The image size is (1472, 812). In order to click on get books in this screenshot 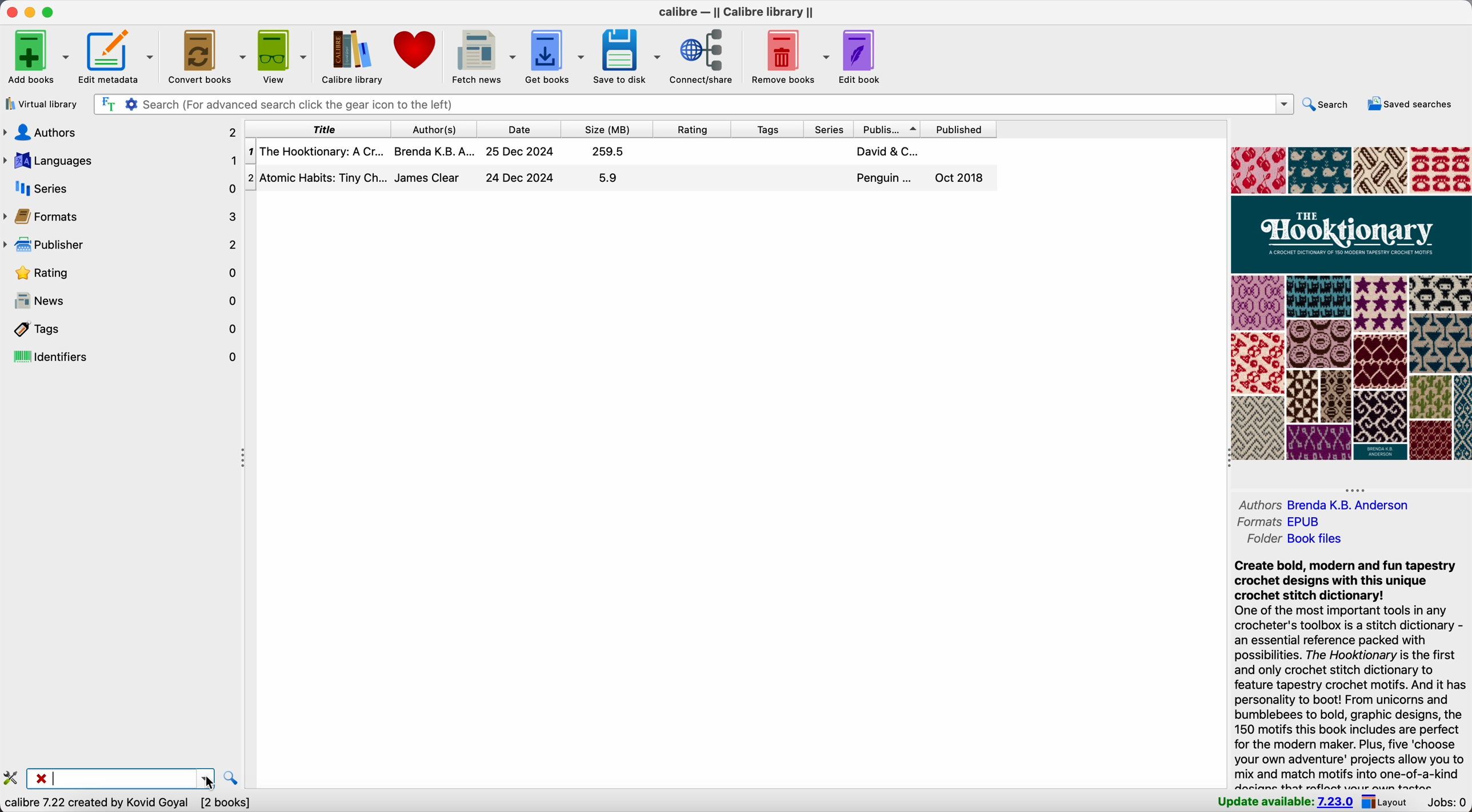, I will do `click(553, 57)`.